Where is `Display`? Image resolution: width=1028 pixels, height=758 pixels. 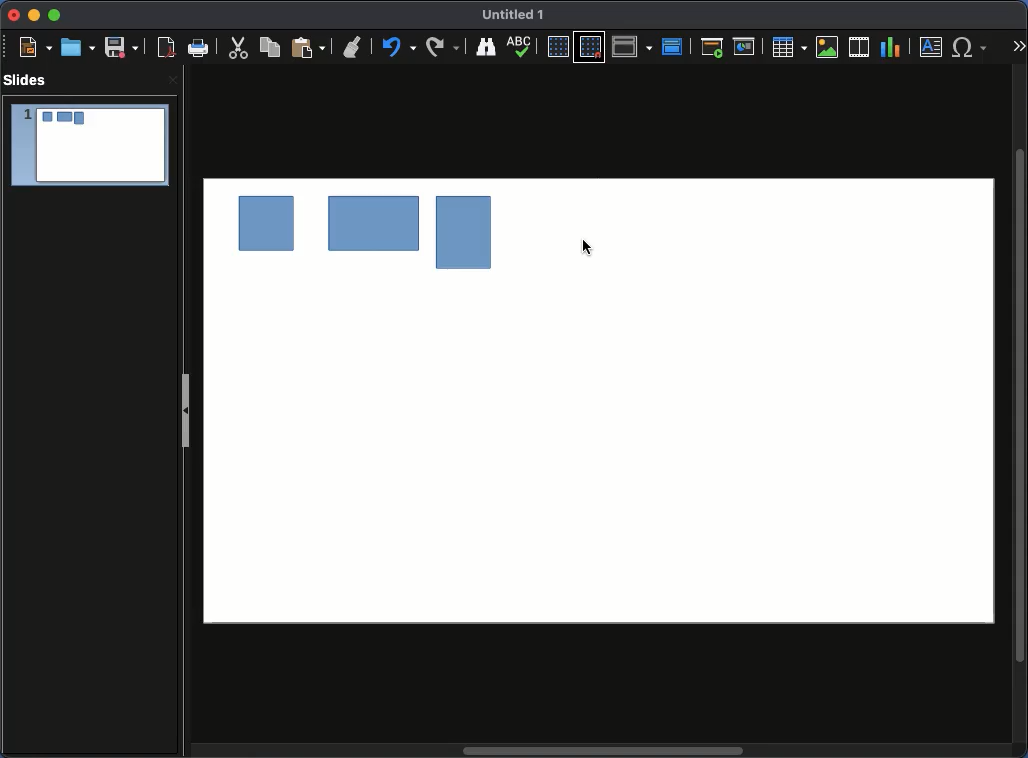 Display is located at coordinates (524, 48).